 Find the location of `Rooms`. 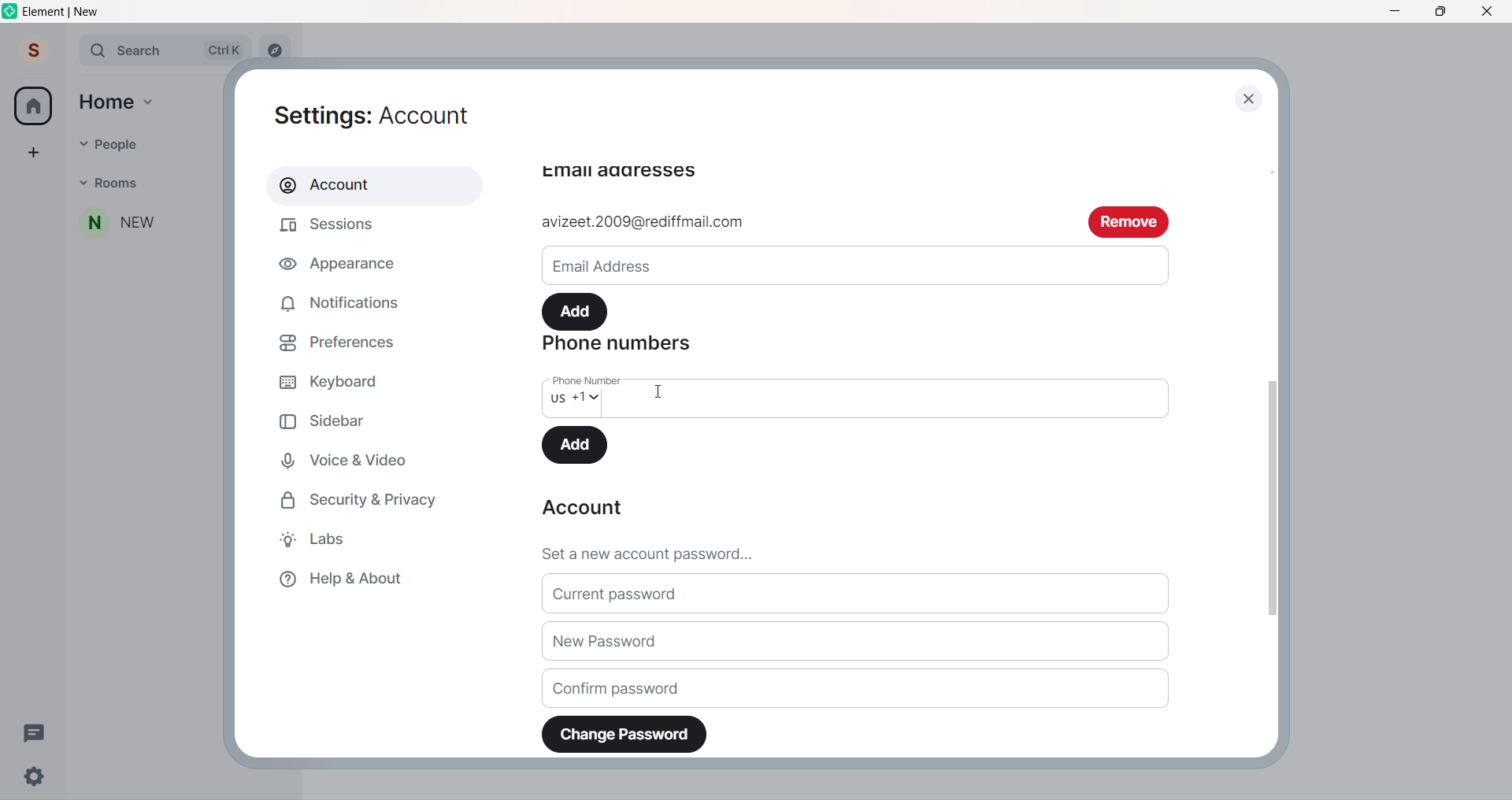

Rooms is located at coordinates (154, 183).